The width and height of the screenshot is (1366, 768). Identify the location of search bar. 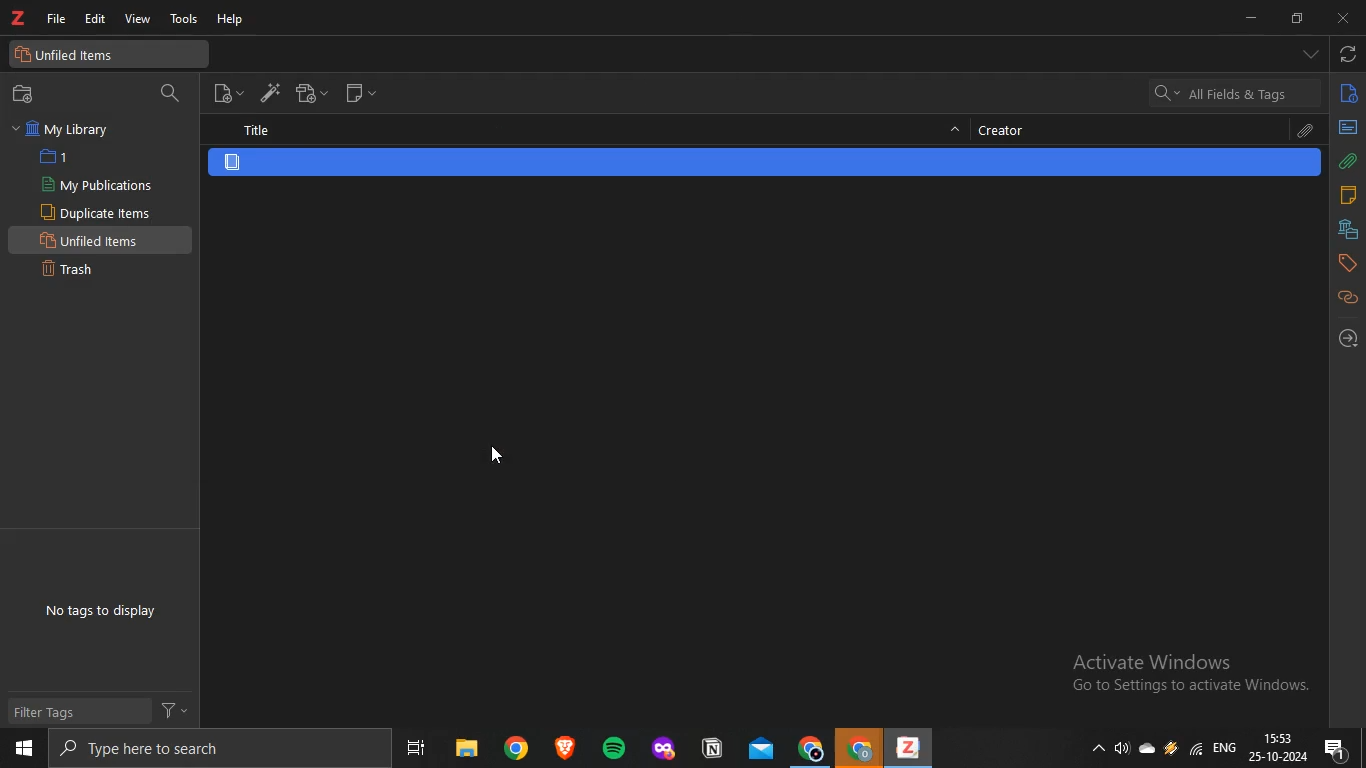
(1234, 92).